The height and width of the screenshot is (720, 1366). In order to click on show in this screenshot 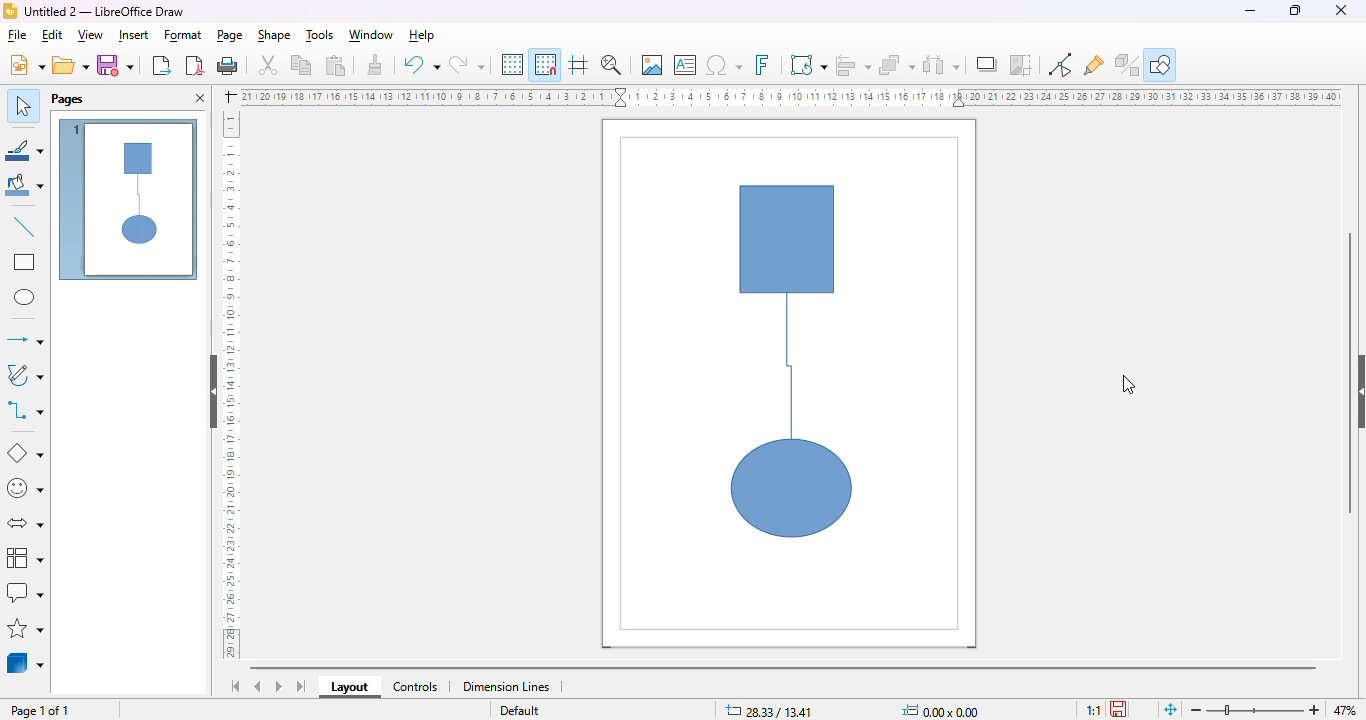, I will do `click(1357, 392)`.